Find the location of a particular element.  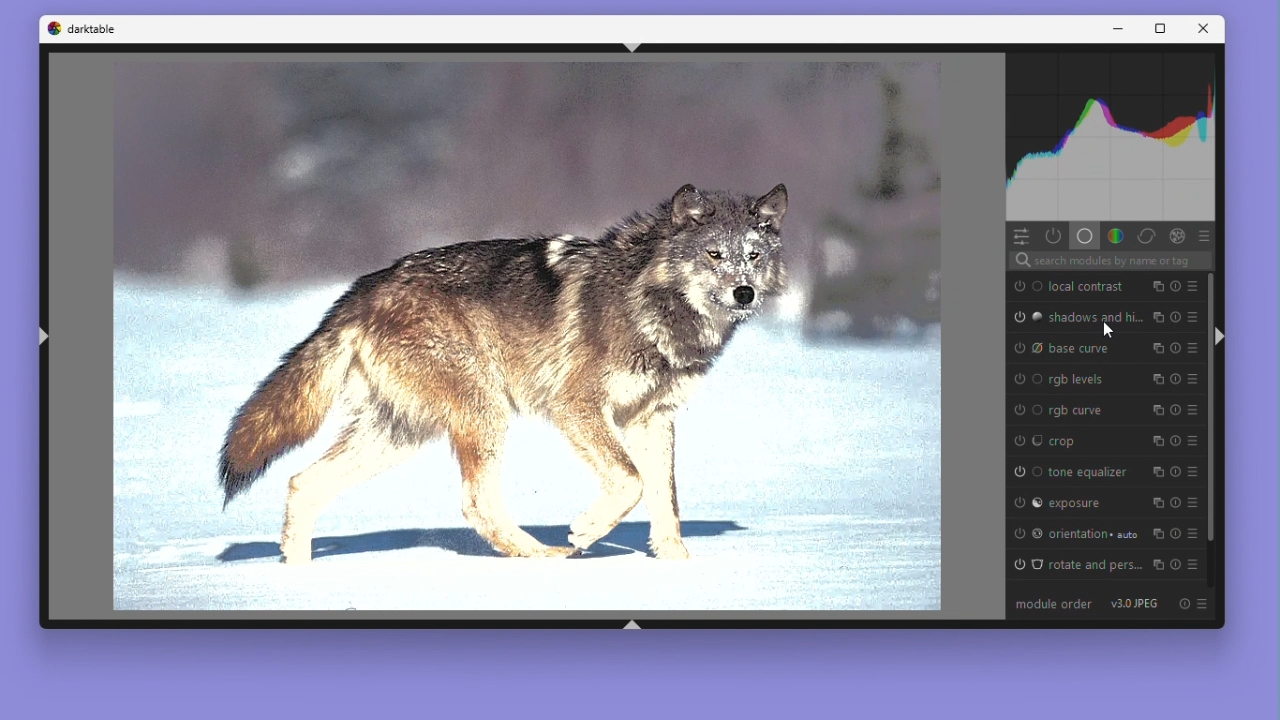

shadows and hi... is located at coordinates (1096, 317).